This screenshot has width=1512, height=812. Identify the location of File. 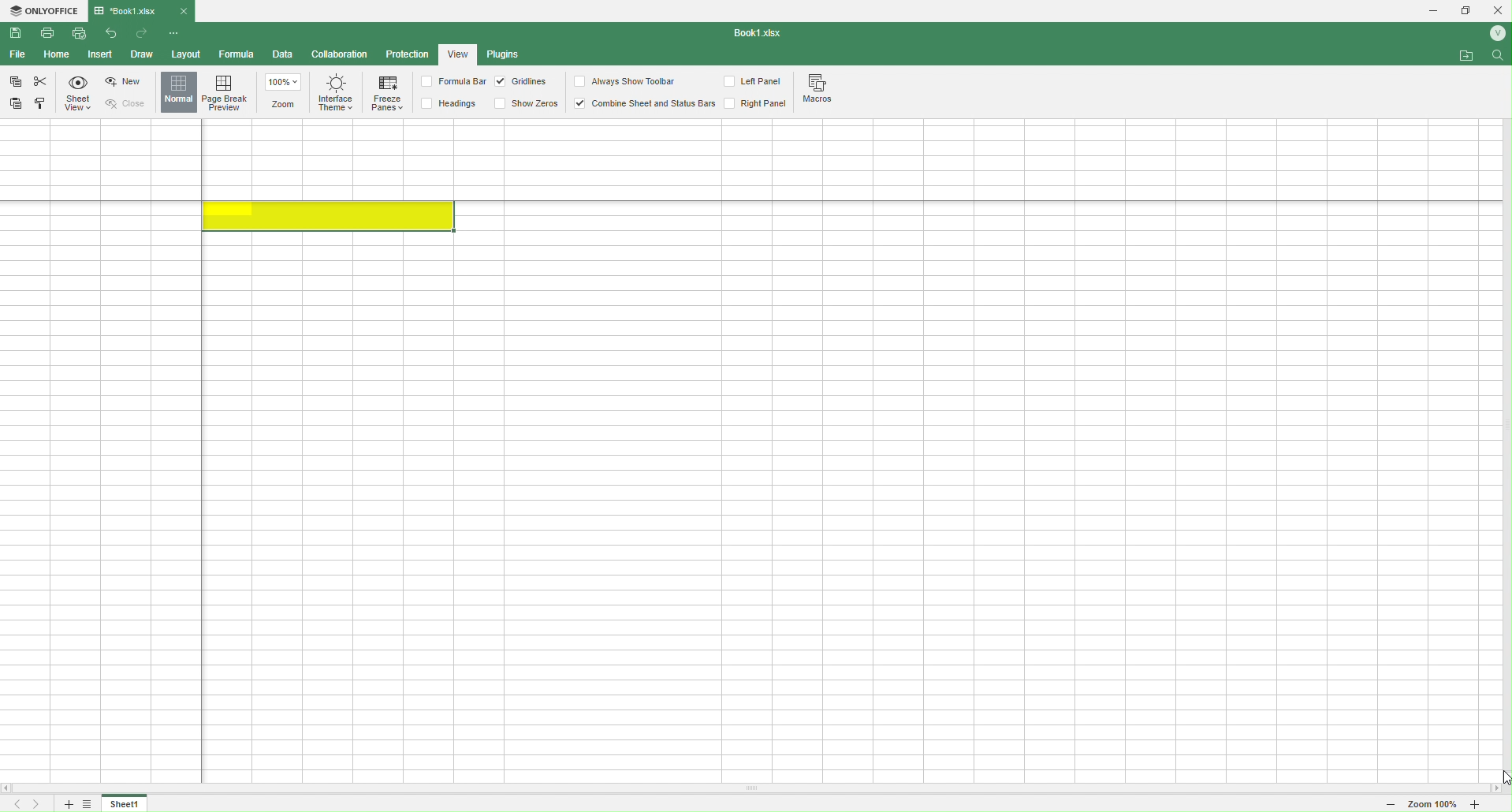
(17, 54).